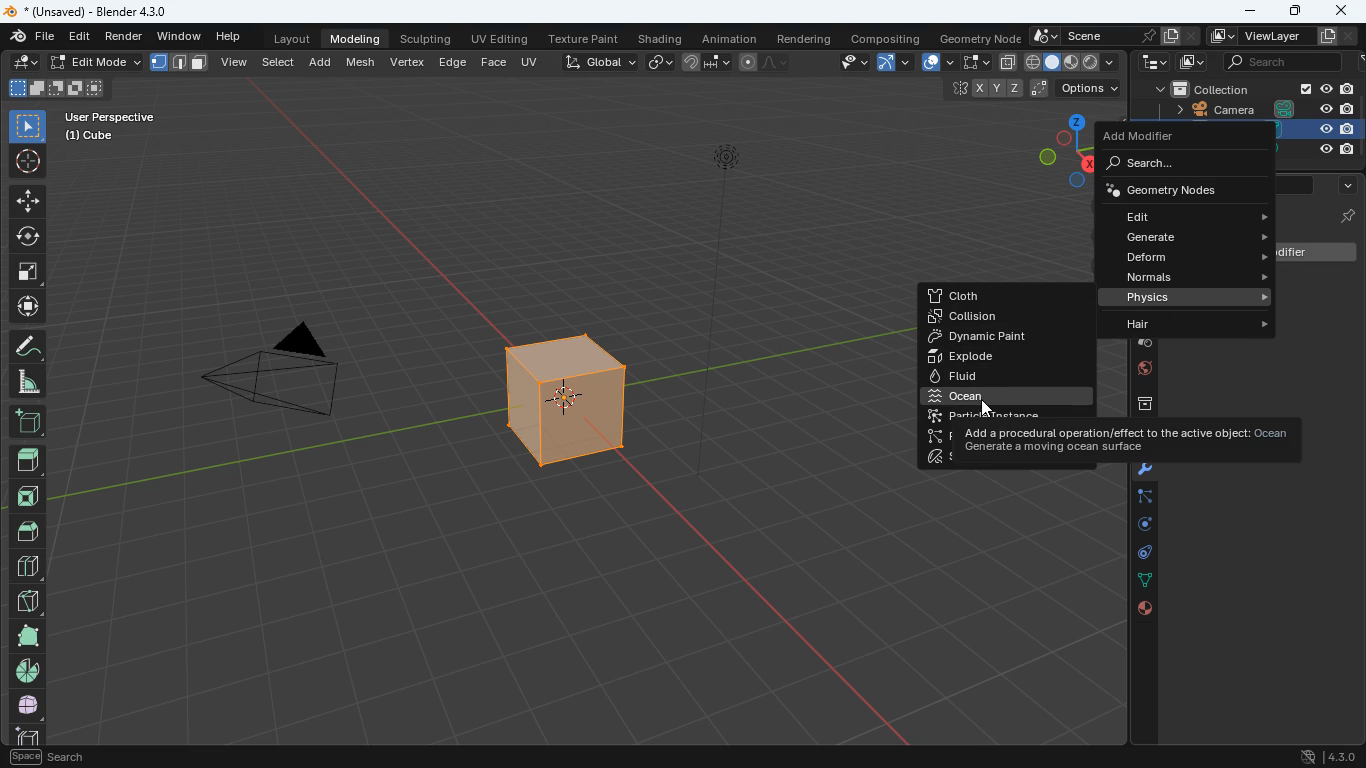 The width and height of the screenshot is (1366, 768). I want to click on 4.3.0, so click(1323, 756).